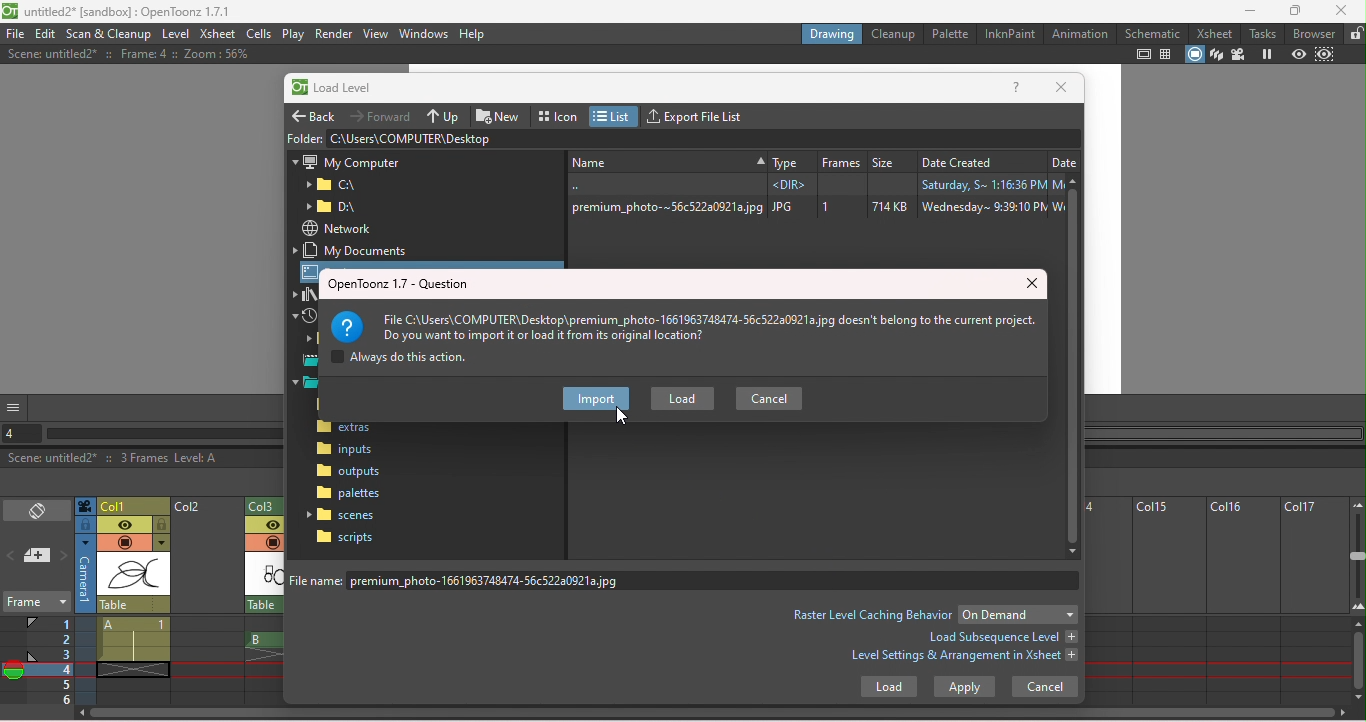 This screenshot has width=1366, height=722. What do you see at coordinates (1217, 33) in the screenshot?
I see `Xsheet` at bounding box center [1217, 33].